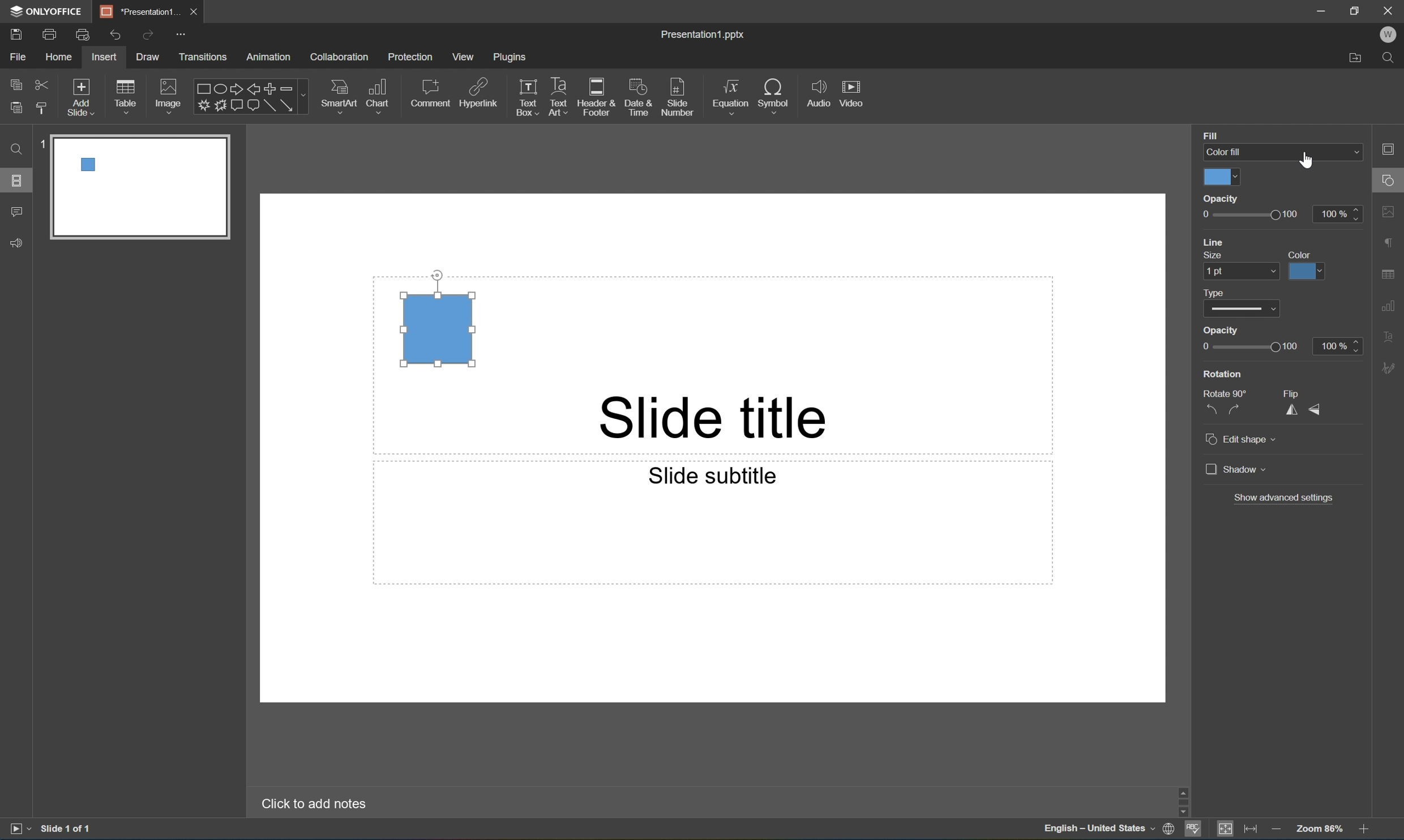  What do you see at coordinates (1338, 214) in the screenshot?
I see `100%` at bounding box center [1338, 214].